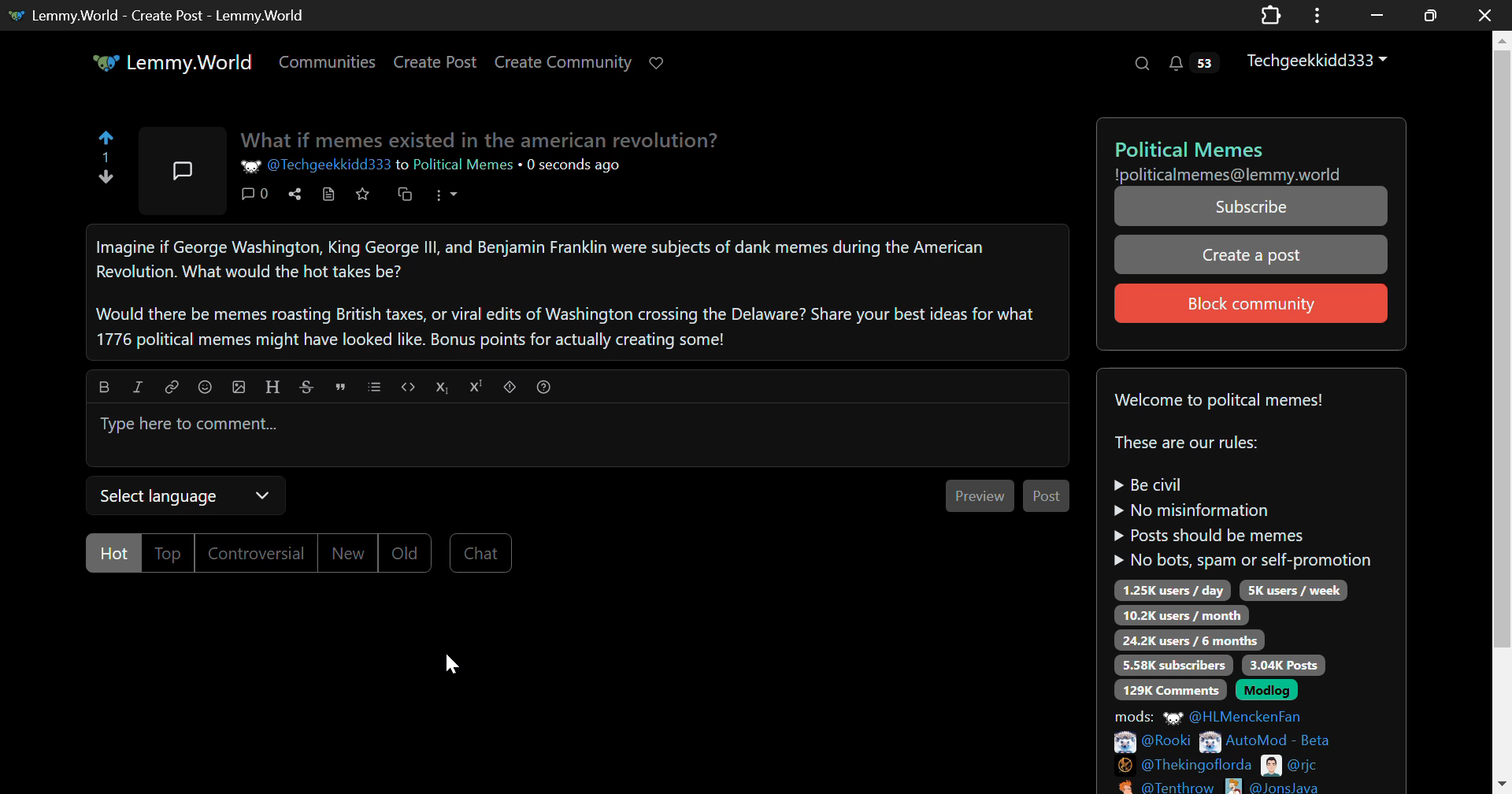  What do you see at coordinates (1143, 65) in the screenshot?
I see `Search` at bounding box center [1143, 65].